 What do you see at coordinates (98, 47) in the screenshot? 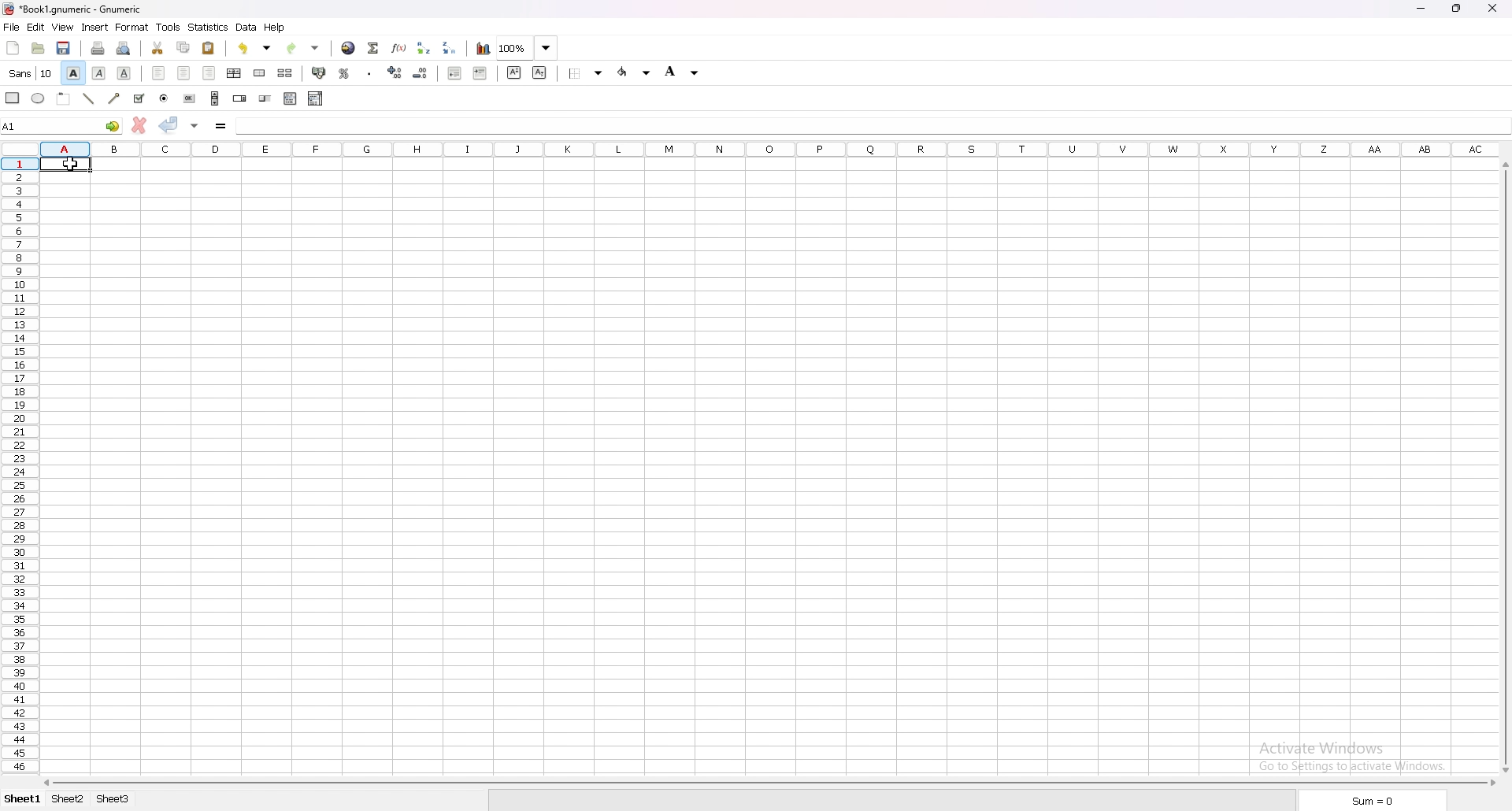
I see `print` at bounding box center [98, 47].